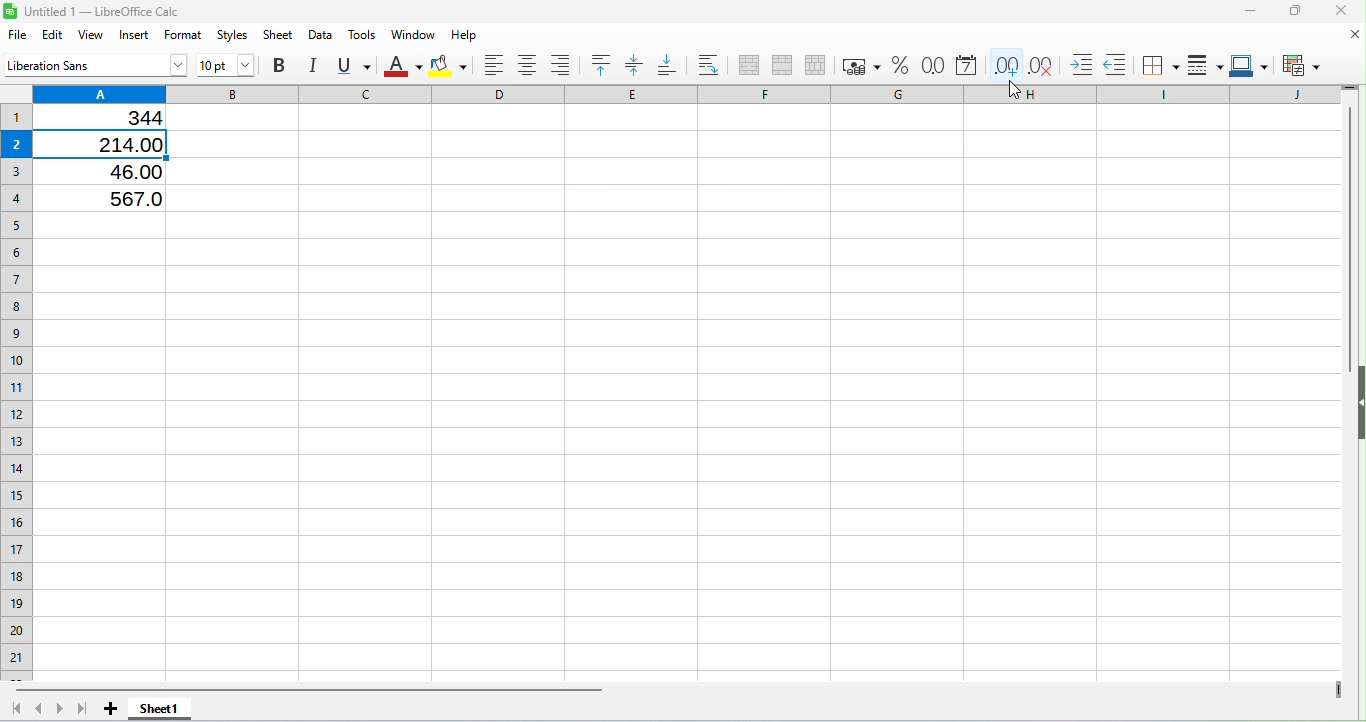 This screenshot has width=1366, height=722. What do you see at coordinates (563, 66) in the screenshot?
I see `Align right` at bounding box center [563, 66].